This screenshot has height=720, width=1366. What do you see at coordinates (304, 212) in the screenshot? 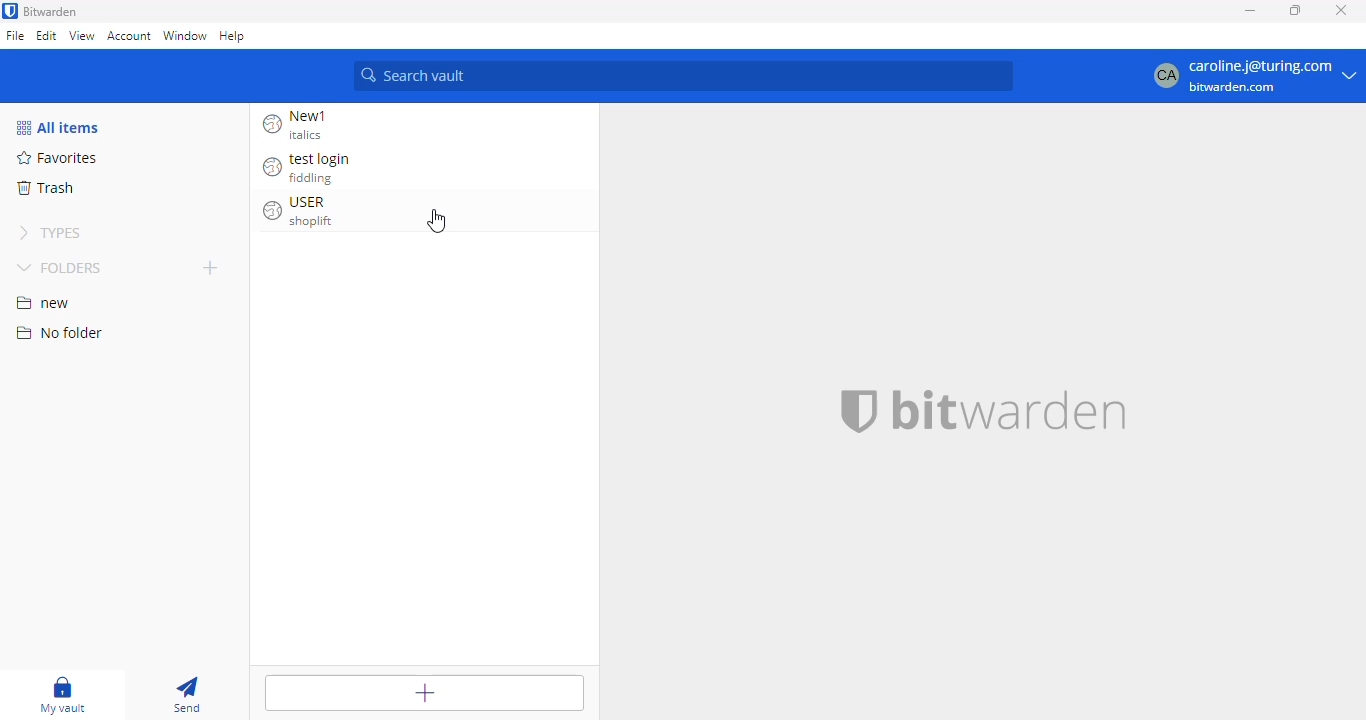
I see `USER   shoplift` at bounding box center [304, 212].